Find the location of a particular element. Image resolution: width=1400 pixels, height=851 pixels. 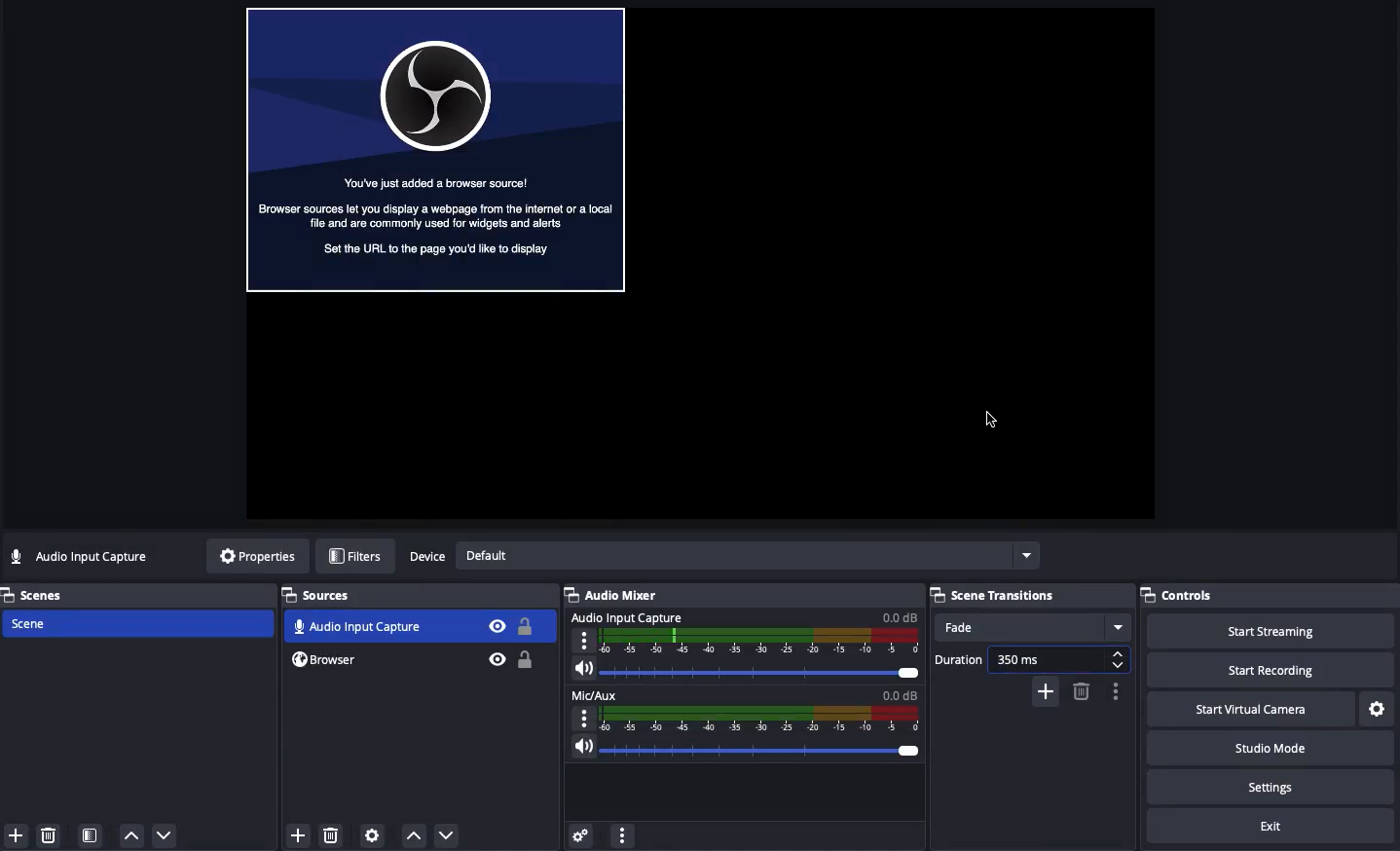

Move down is located at coordinates (446, 834).